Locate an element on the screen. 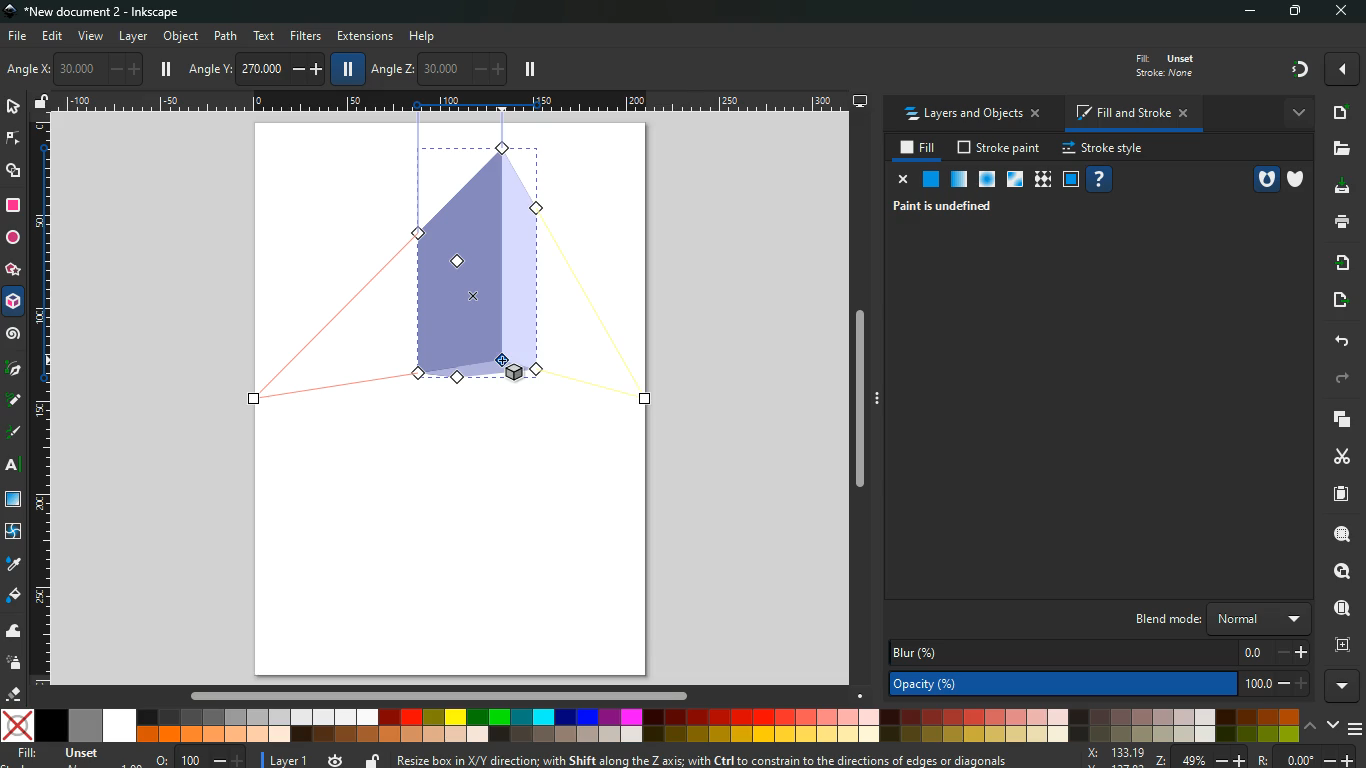 The height and width of the screenshot is (768, 1366). window is located at coordinates (15, 500).